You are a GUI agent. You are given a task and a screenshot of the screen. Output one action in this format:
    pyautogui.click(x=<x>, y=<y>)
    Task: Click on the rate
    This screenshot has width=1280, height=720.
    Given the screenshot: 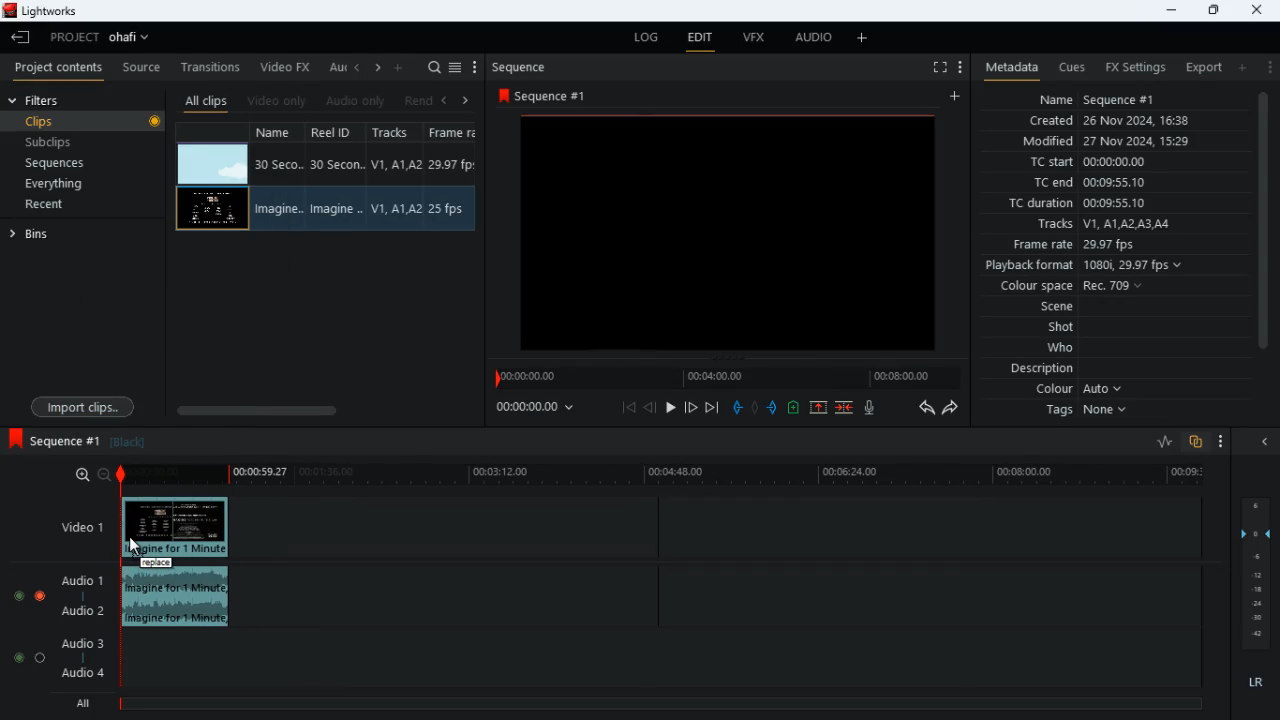 What is the action you would take?
    pyautogui.click(x=1158, y=442)
    